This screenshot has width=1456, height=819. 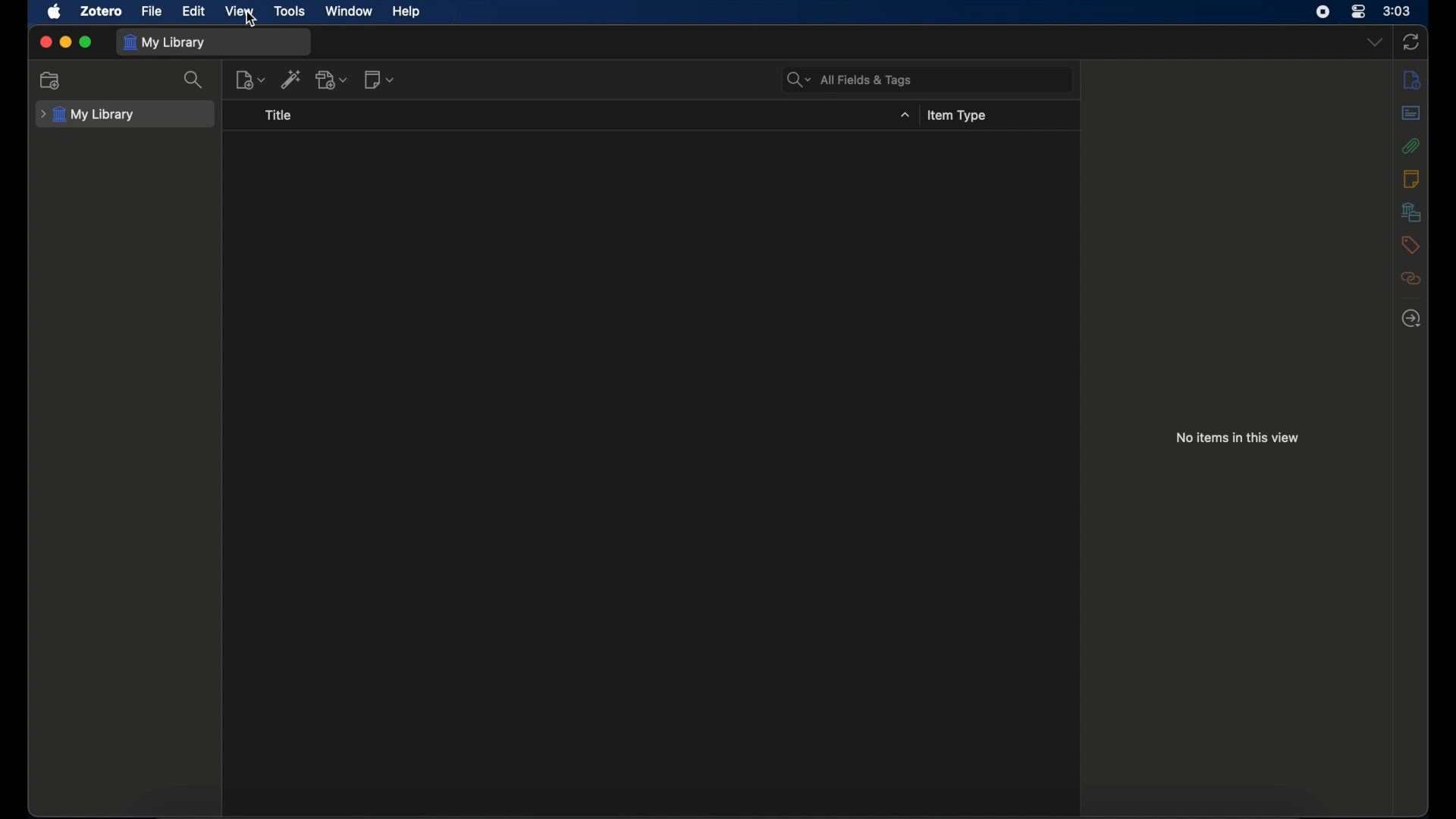 I want to click on cursor, so click(x=253, y=20).